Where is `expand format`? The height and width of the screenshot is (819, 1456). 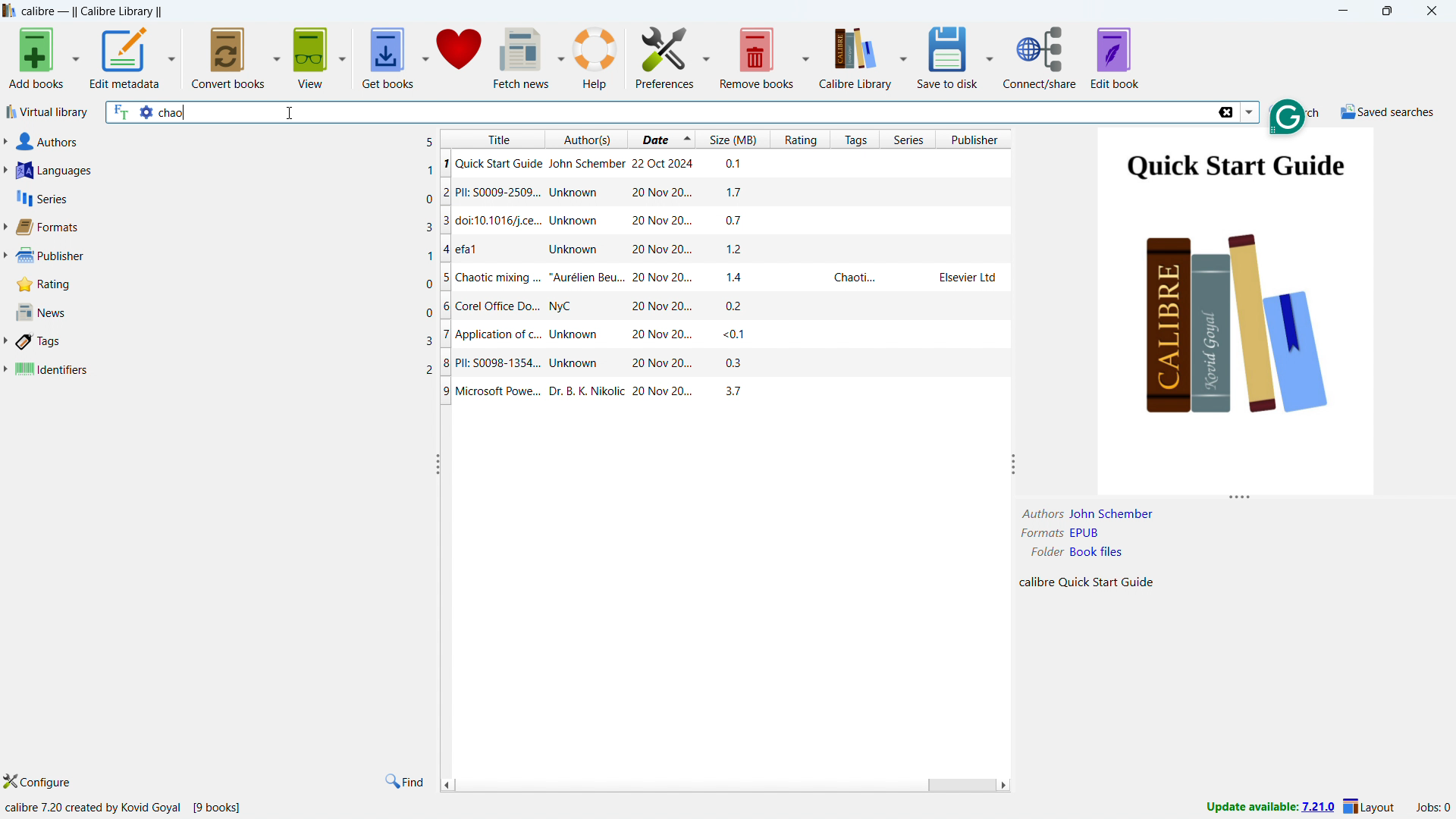
expand format is located at coordinates (5, 228).